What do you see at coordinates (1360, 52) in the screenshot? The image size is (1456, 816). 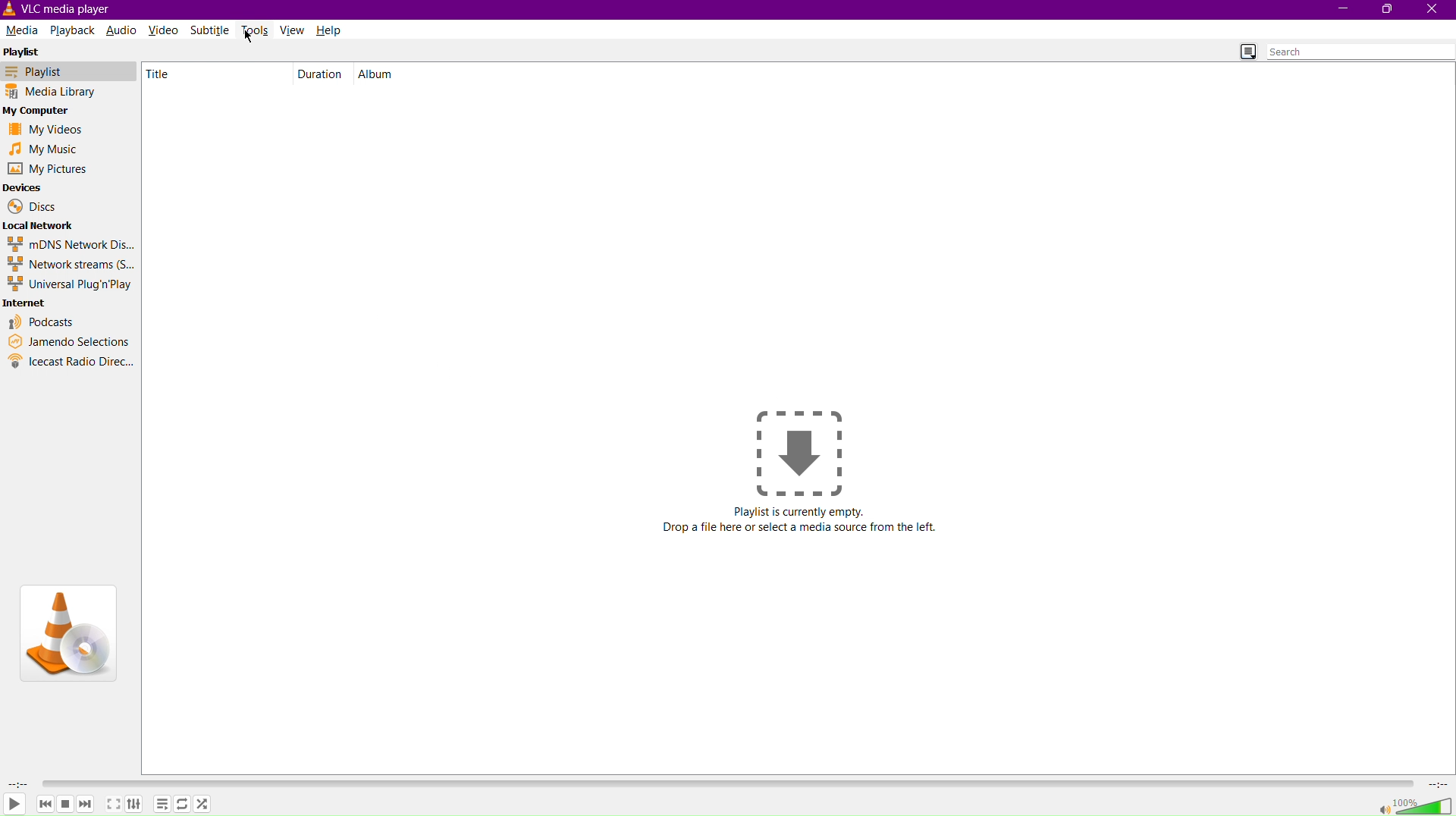 I see `Search bar` at bounding box center [1360, 52].